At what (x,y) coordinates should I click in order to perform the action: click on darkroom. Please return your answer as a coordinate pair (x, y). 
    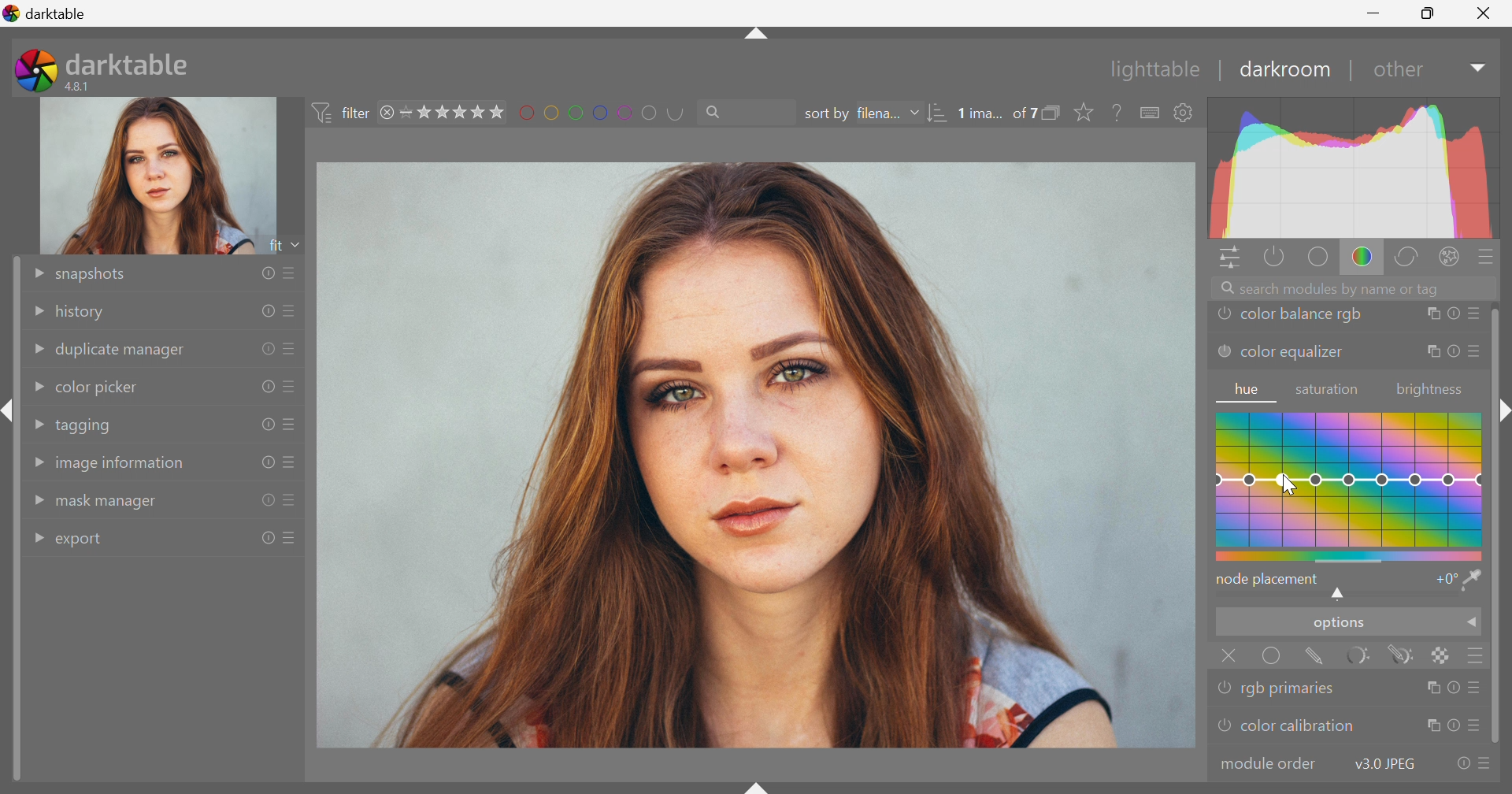
    Looking at the image, I should click on (1286, 69).